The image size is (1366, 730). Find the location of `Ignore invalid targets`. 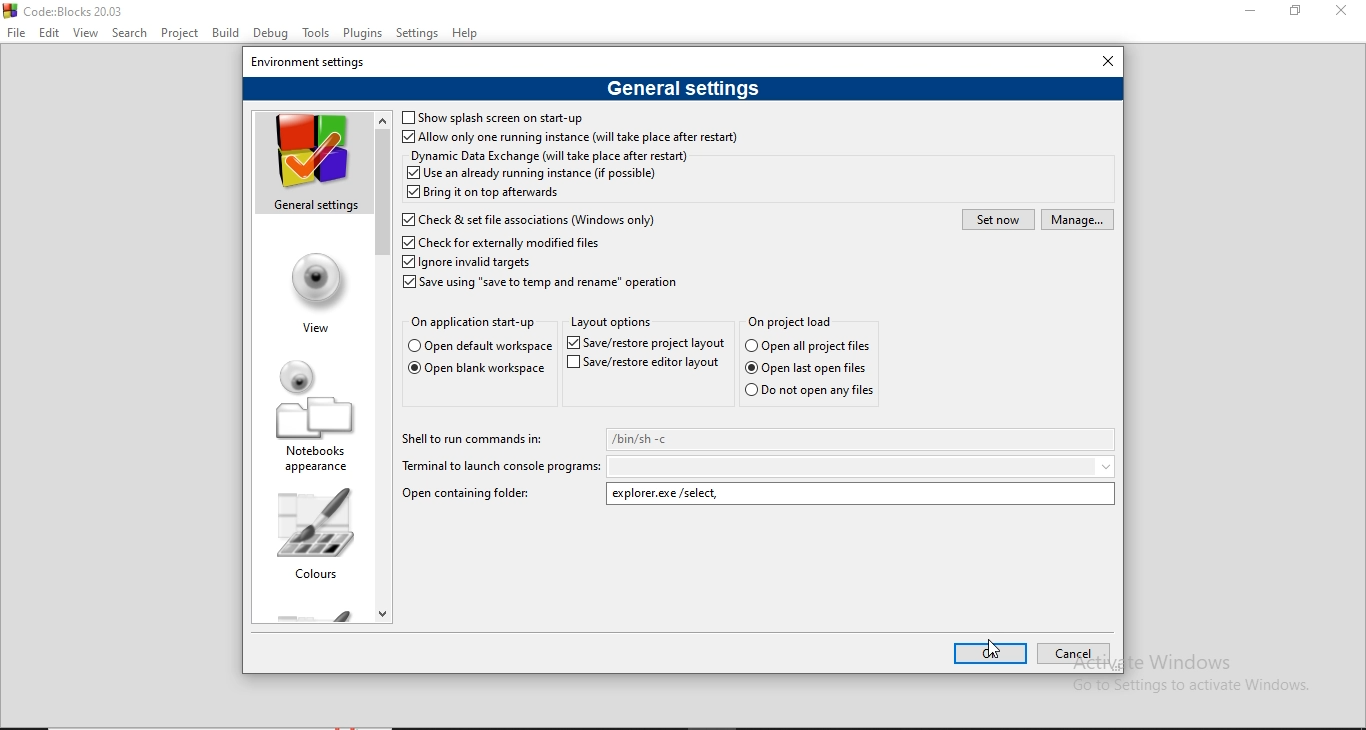

Ignore invalid targets is located at coordinates (467, 263).